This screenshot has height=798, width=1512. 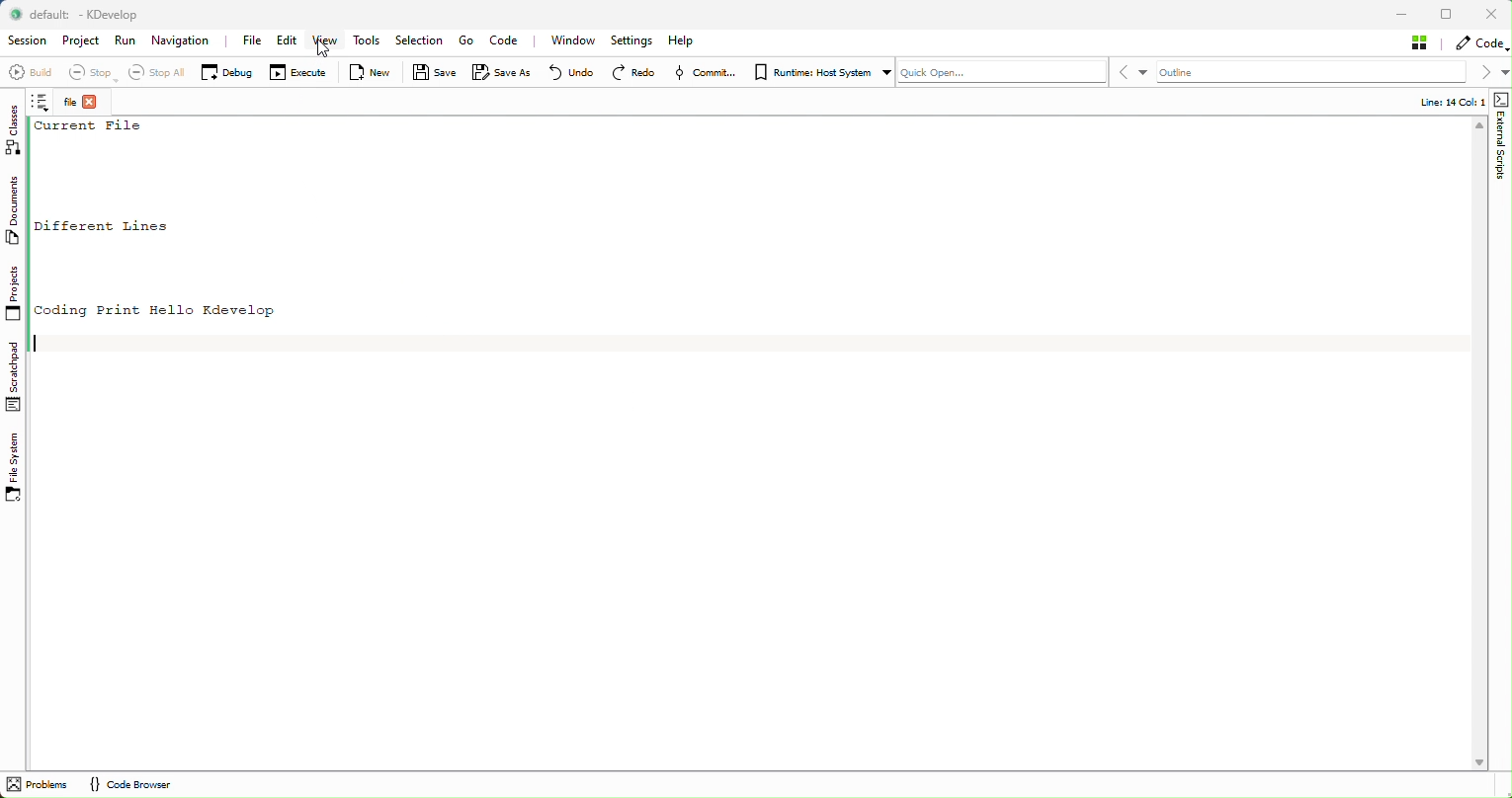 What do you see at coordinates (423, 40) in the screenshot?
I see `Selection` at bounding box center [423, 40].